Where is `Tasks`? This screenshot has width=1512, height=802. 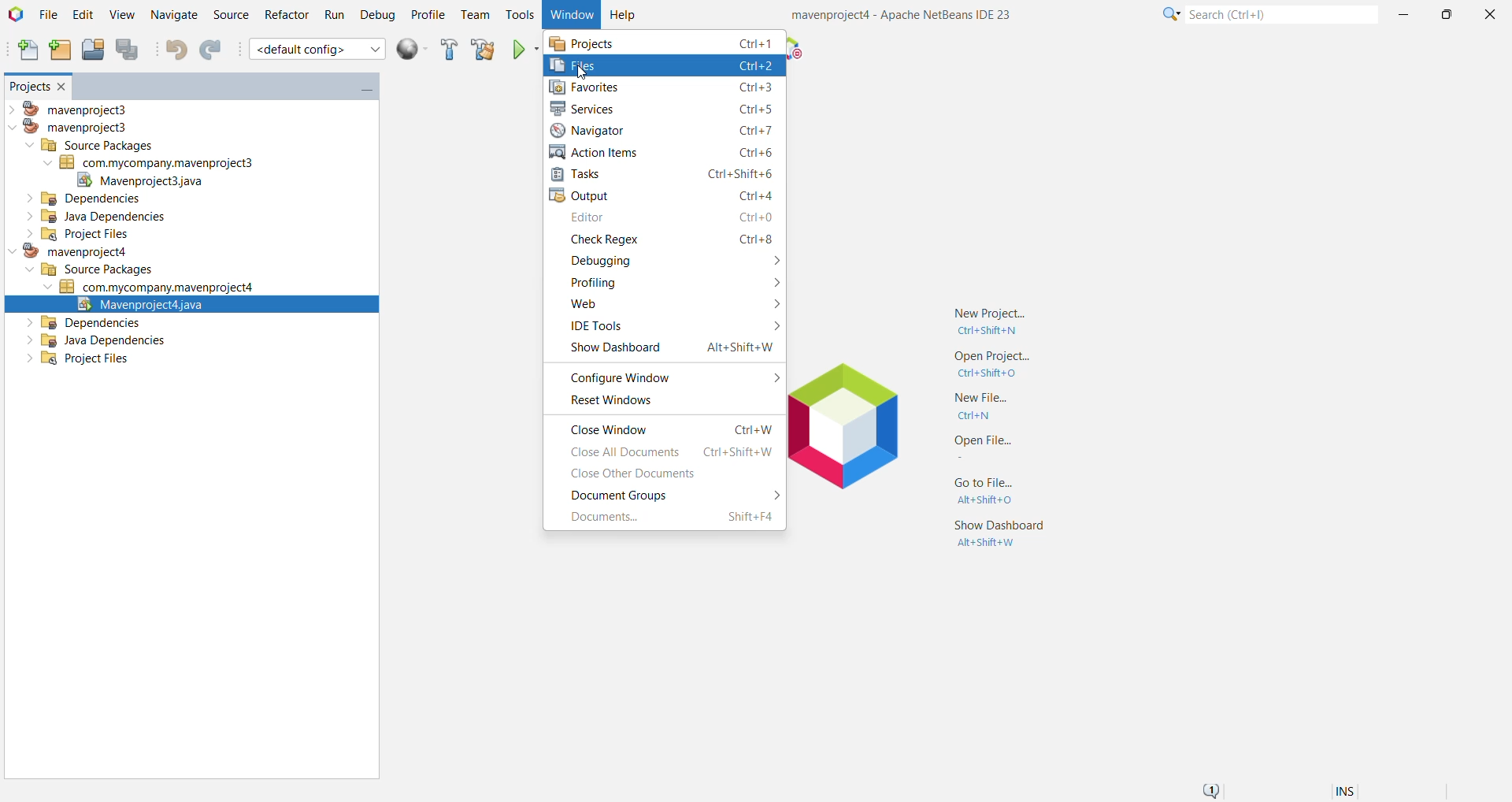
Tasks is located at coordinates (666, 175).